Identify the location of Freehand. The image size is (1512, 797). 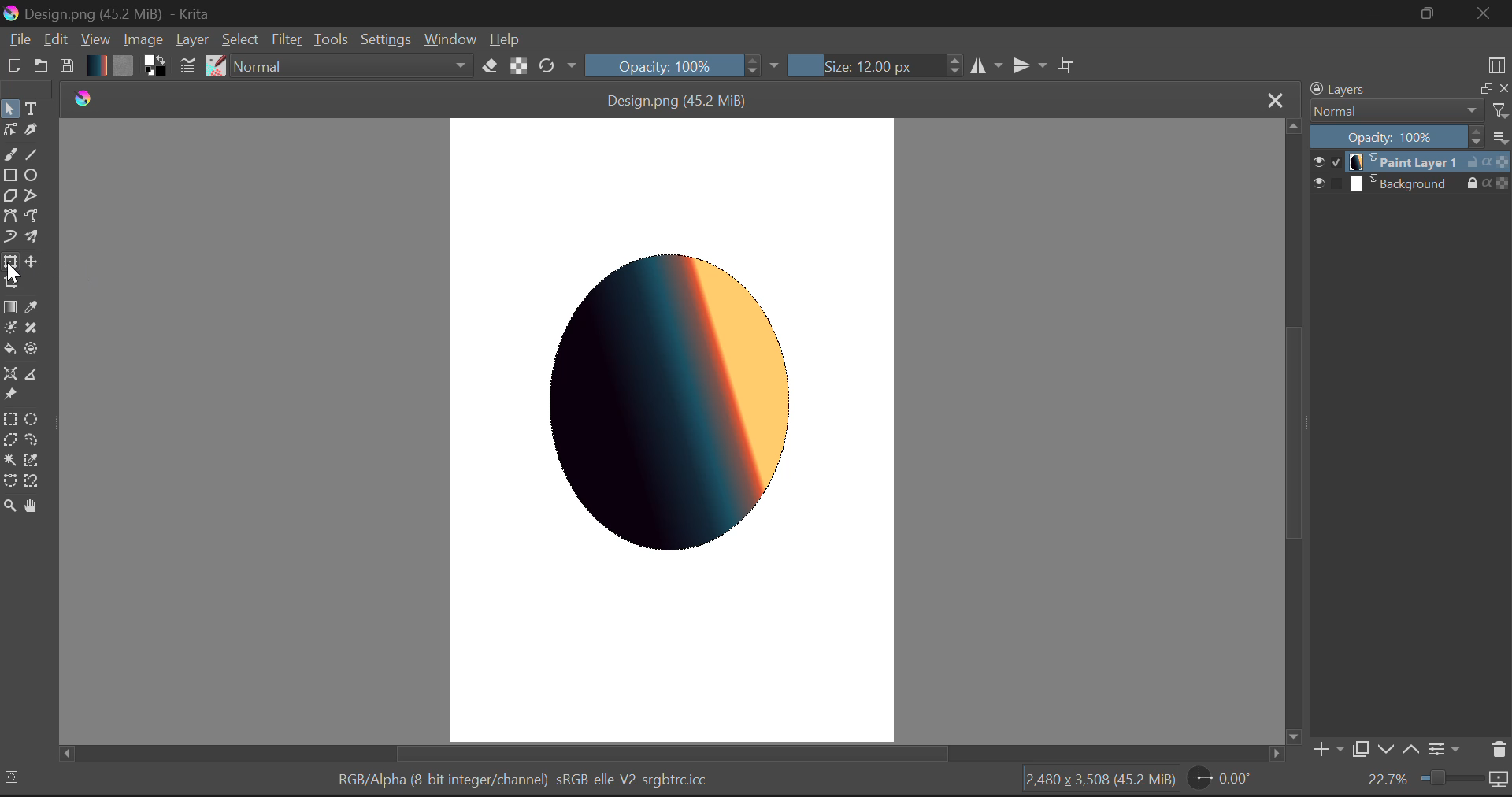
(10, 154).